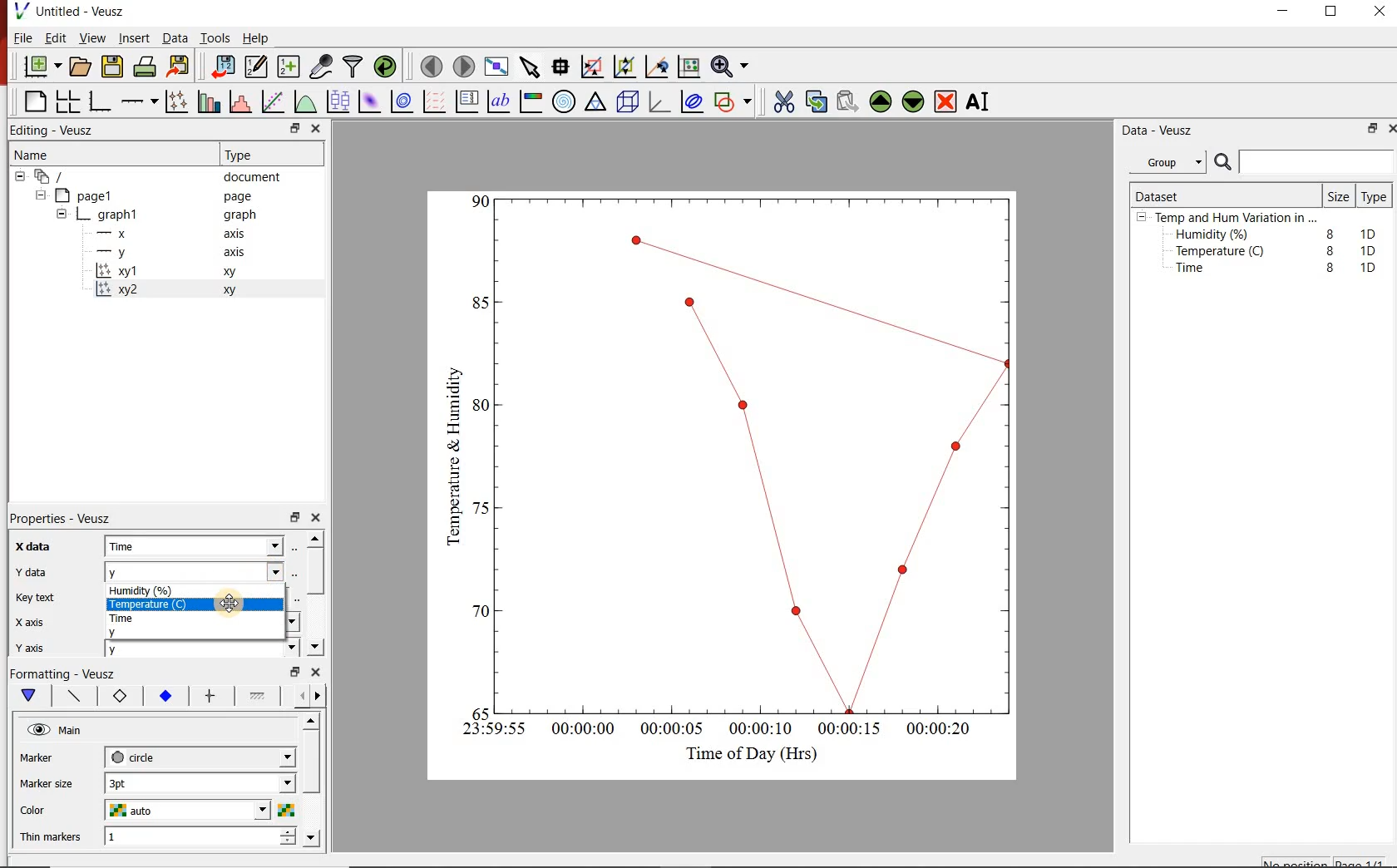 The width and height of the screenshot is (1397, 868). I want to click on xy2, so click(122, 289).